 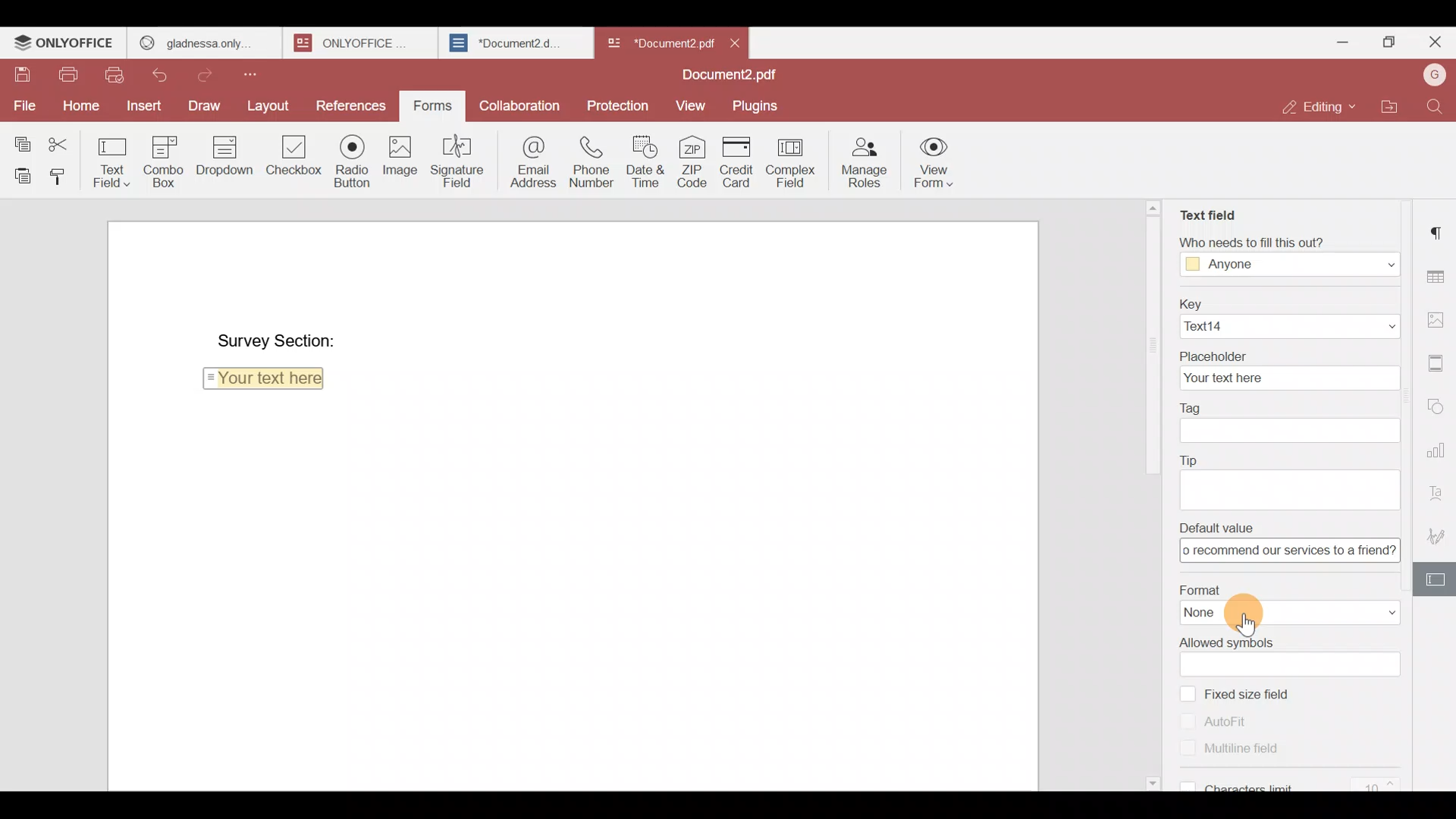 I want to click on Customize quick access toolbar, so click(x=265, y=73).